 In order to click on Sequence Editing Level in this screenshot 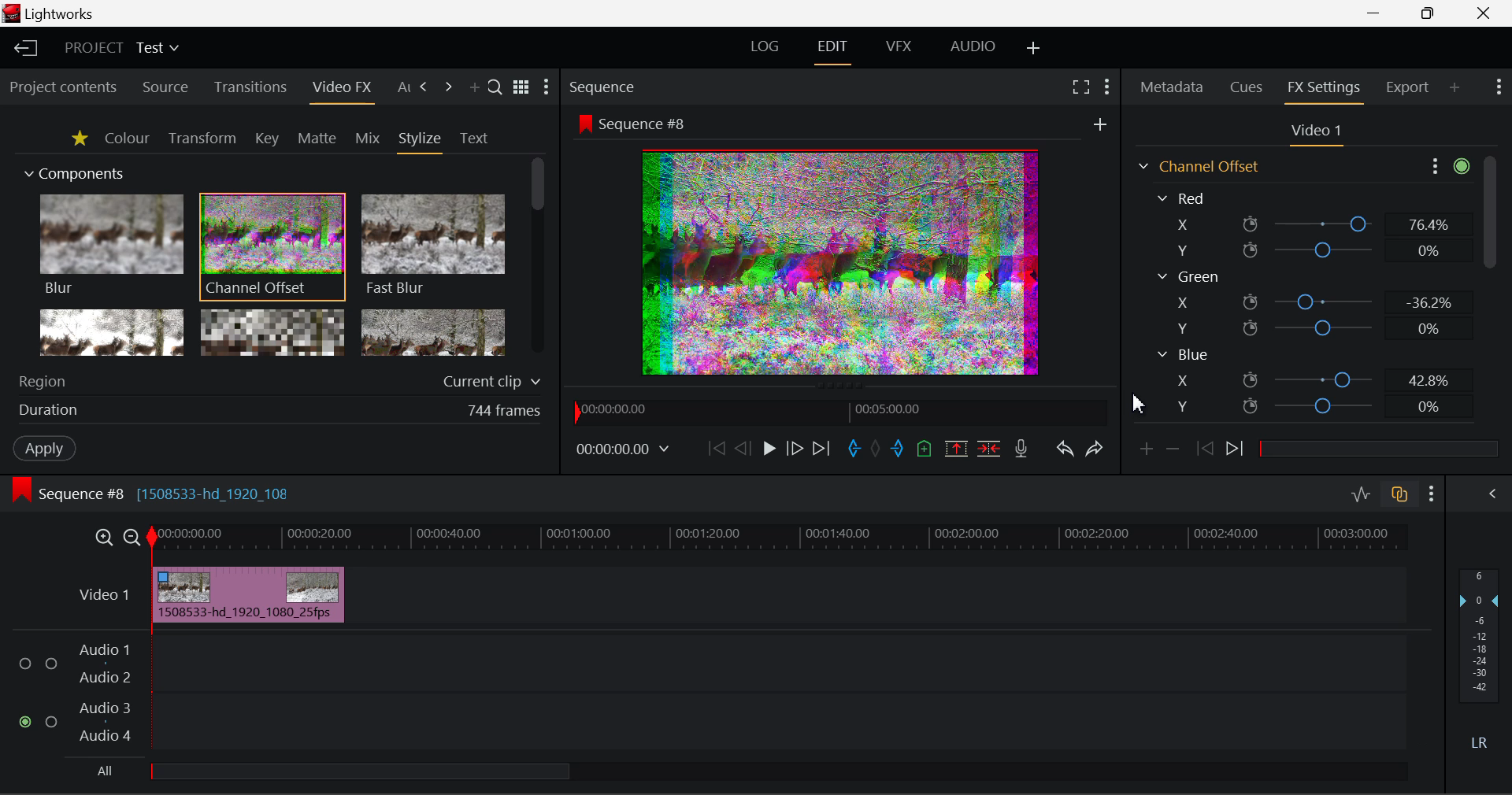, I will do `click(65, 496)`.